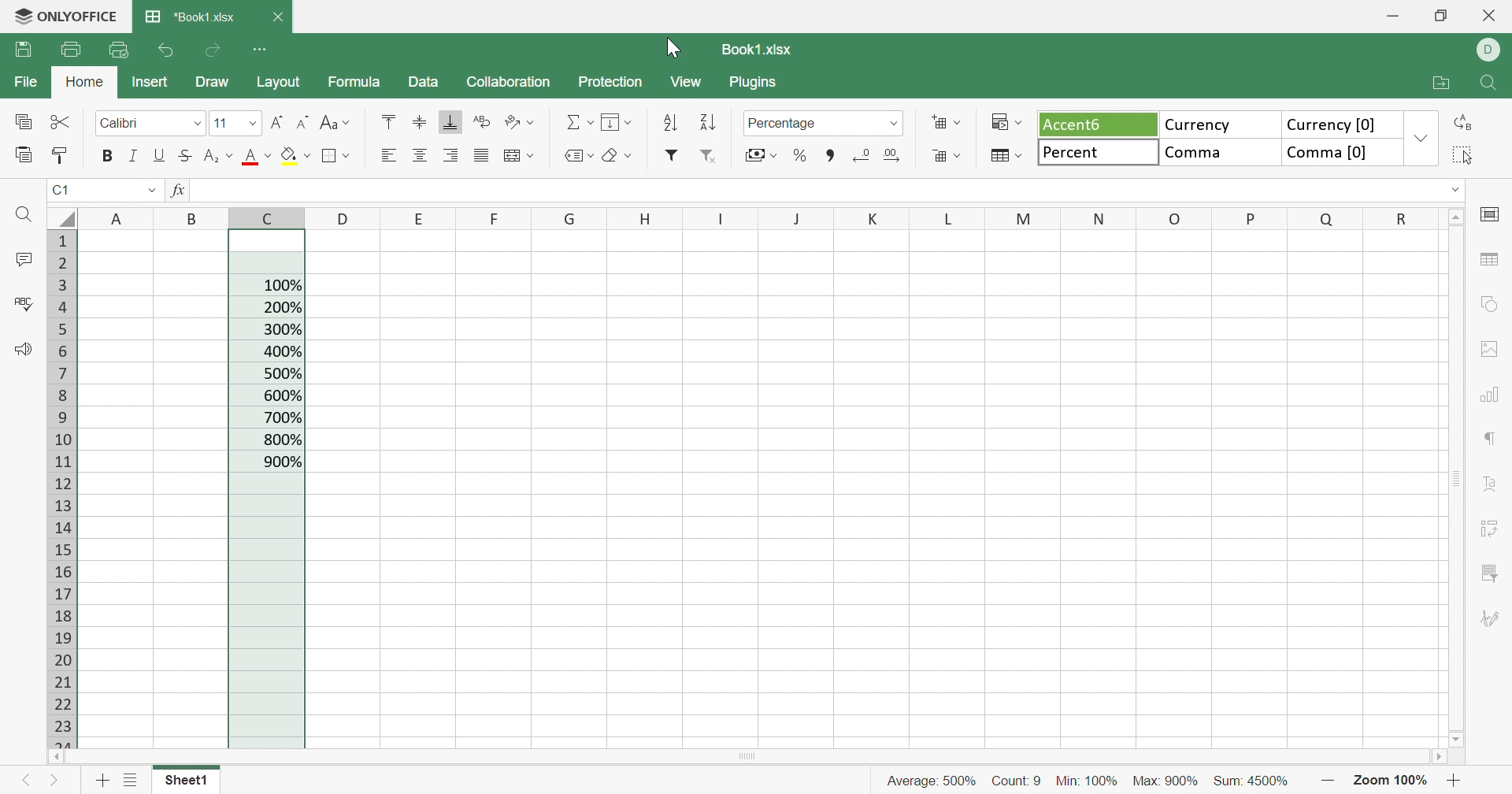  What do you see at coordinates (1099, 154) in the screenshot?
I see `Percent` at bounding box center [1099, 154].